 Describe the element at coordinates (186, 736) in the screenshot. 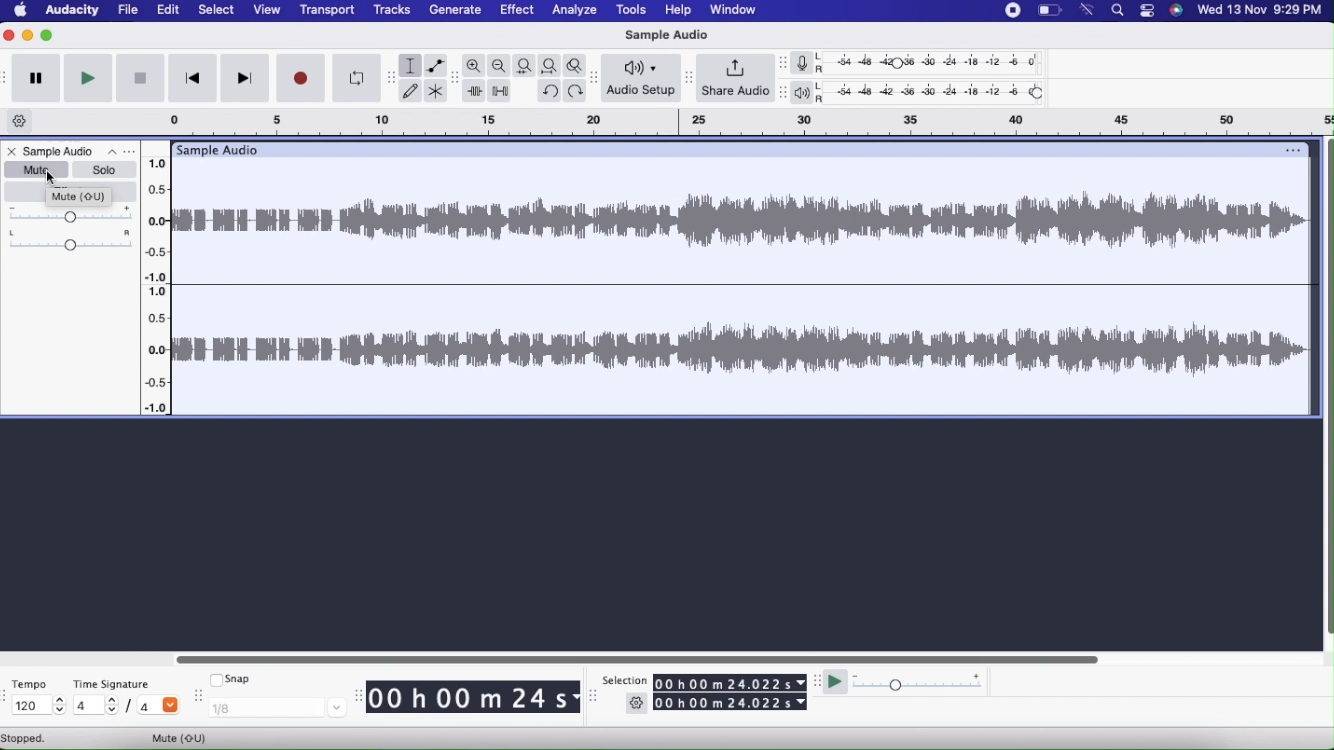

I see `Mute` at that location.